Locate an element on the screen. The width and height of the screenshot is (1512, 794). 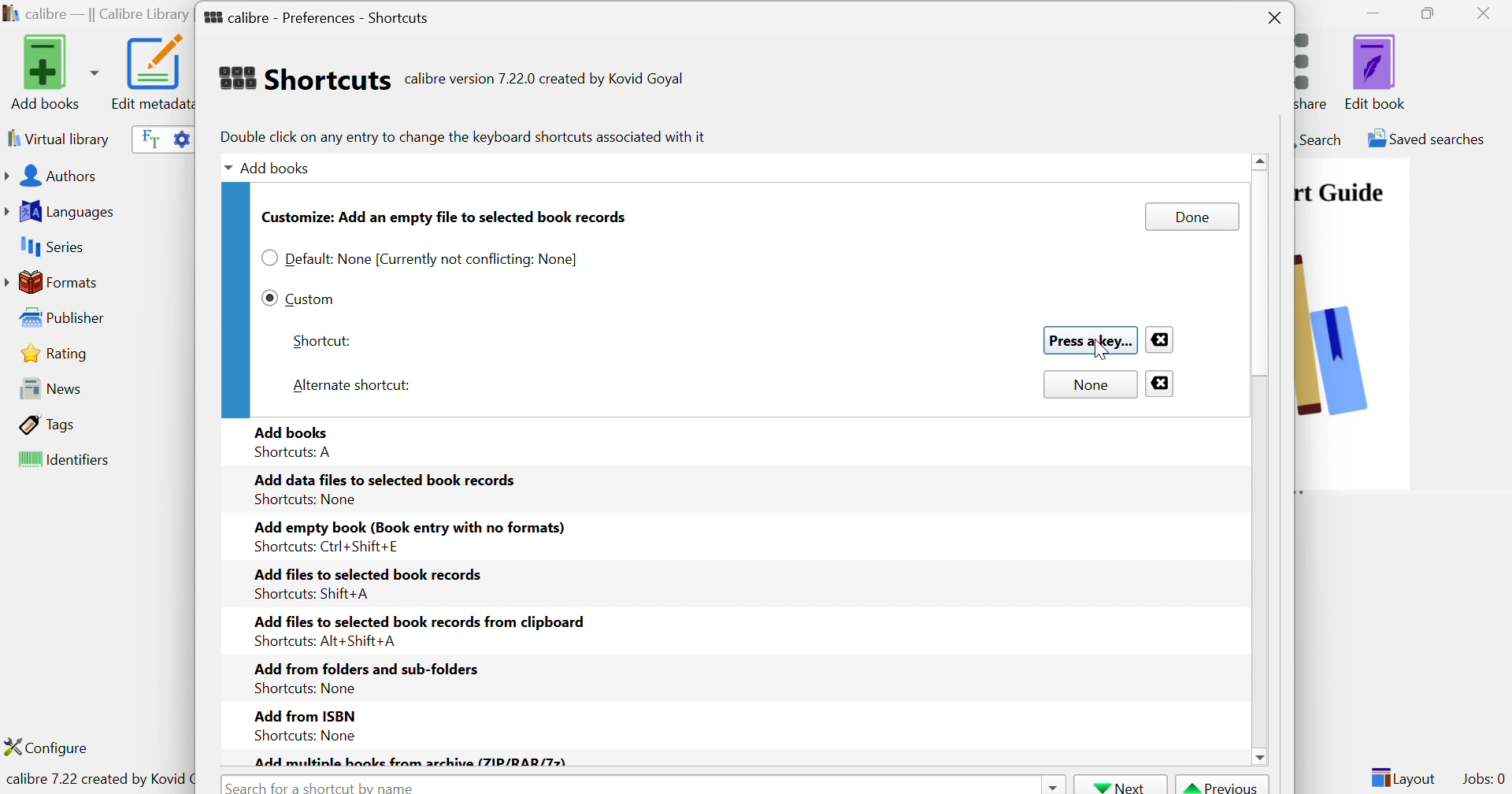
Add books is located at coordinates (52, 72).